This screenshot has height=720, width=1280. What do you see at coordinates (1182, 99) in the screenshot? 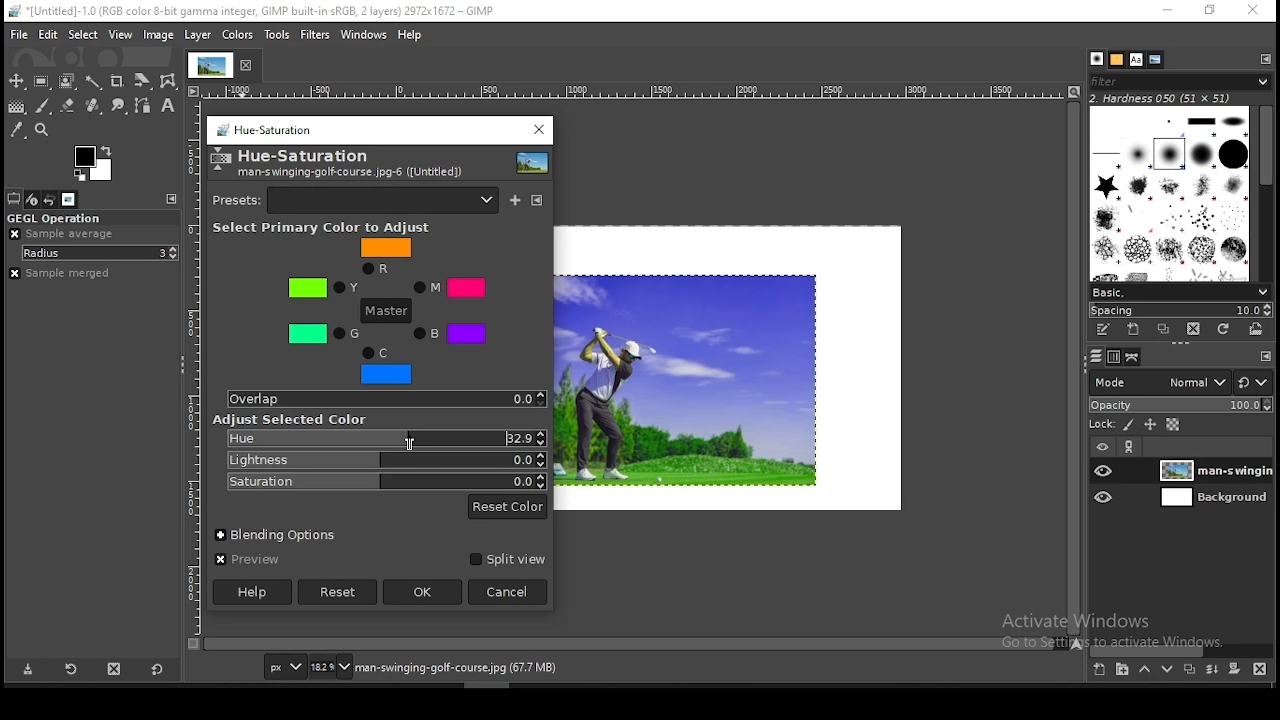
I see `hardness 050 (51x51)` at bounding box center [1182, 99].